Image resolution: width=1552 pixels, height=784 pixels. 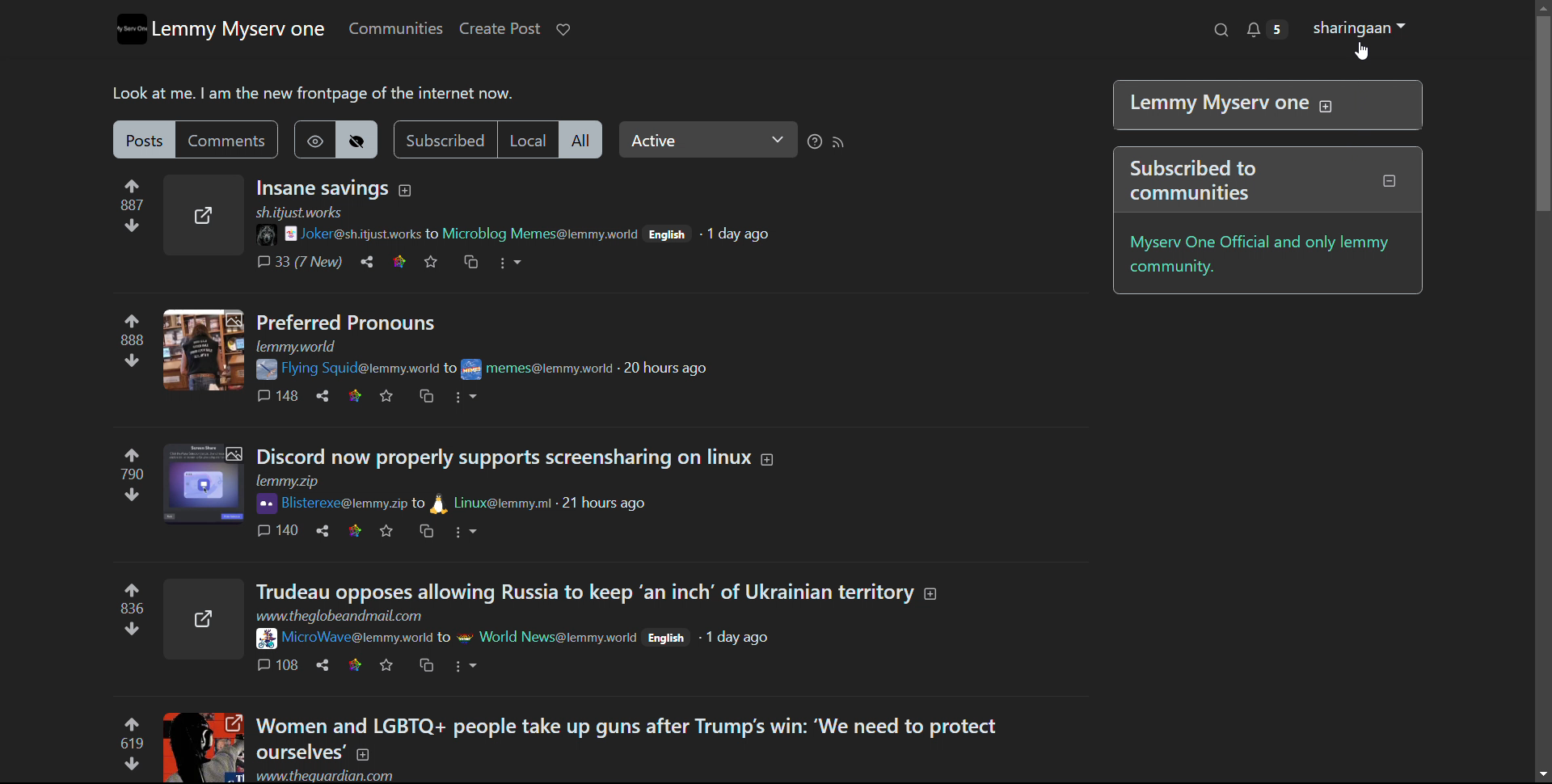 I want to click on comments 140, so click(x=277, y=530).